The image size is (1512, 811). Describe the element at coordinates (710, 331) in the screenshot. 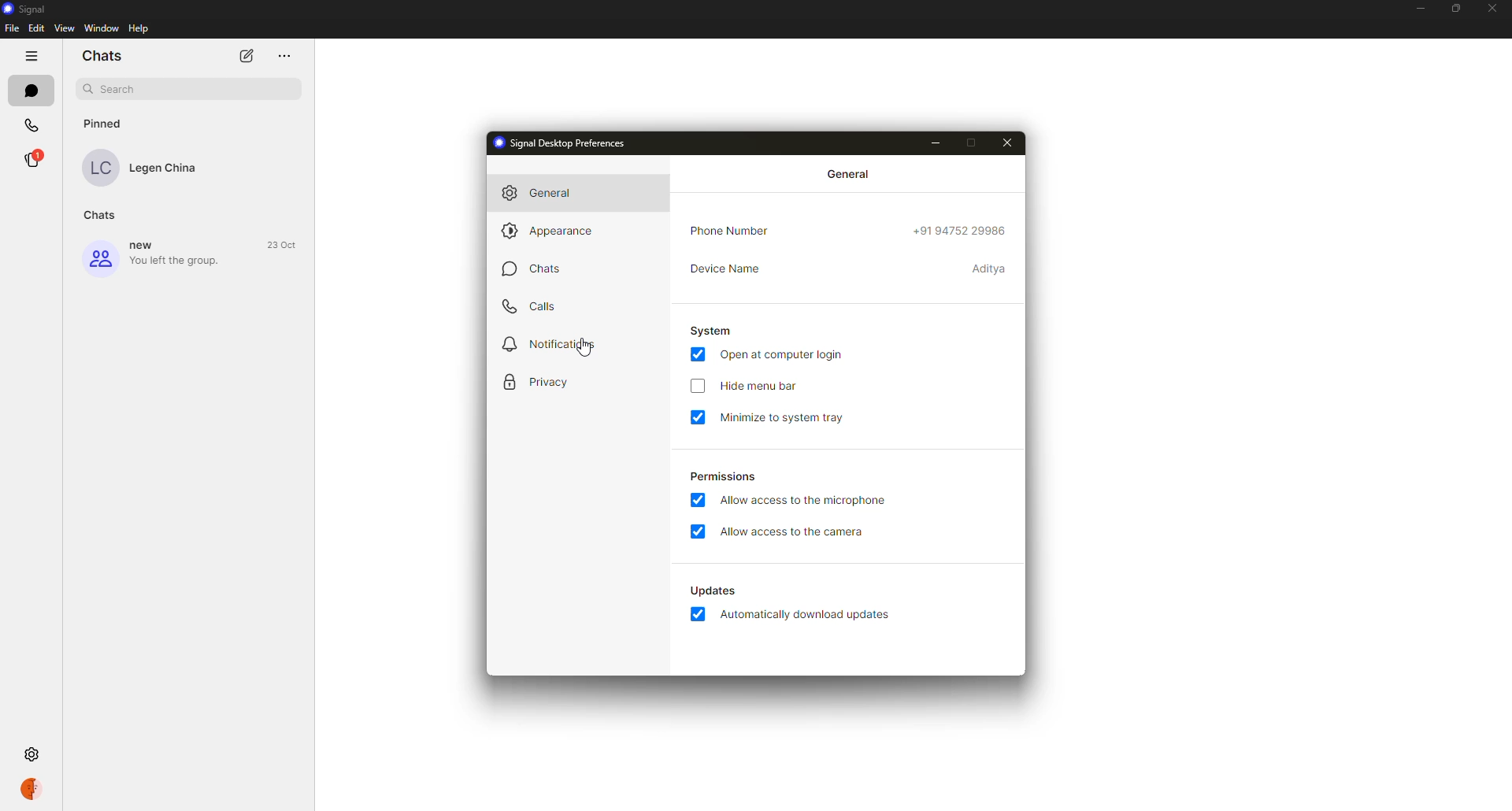

I see `system` at that location.